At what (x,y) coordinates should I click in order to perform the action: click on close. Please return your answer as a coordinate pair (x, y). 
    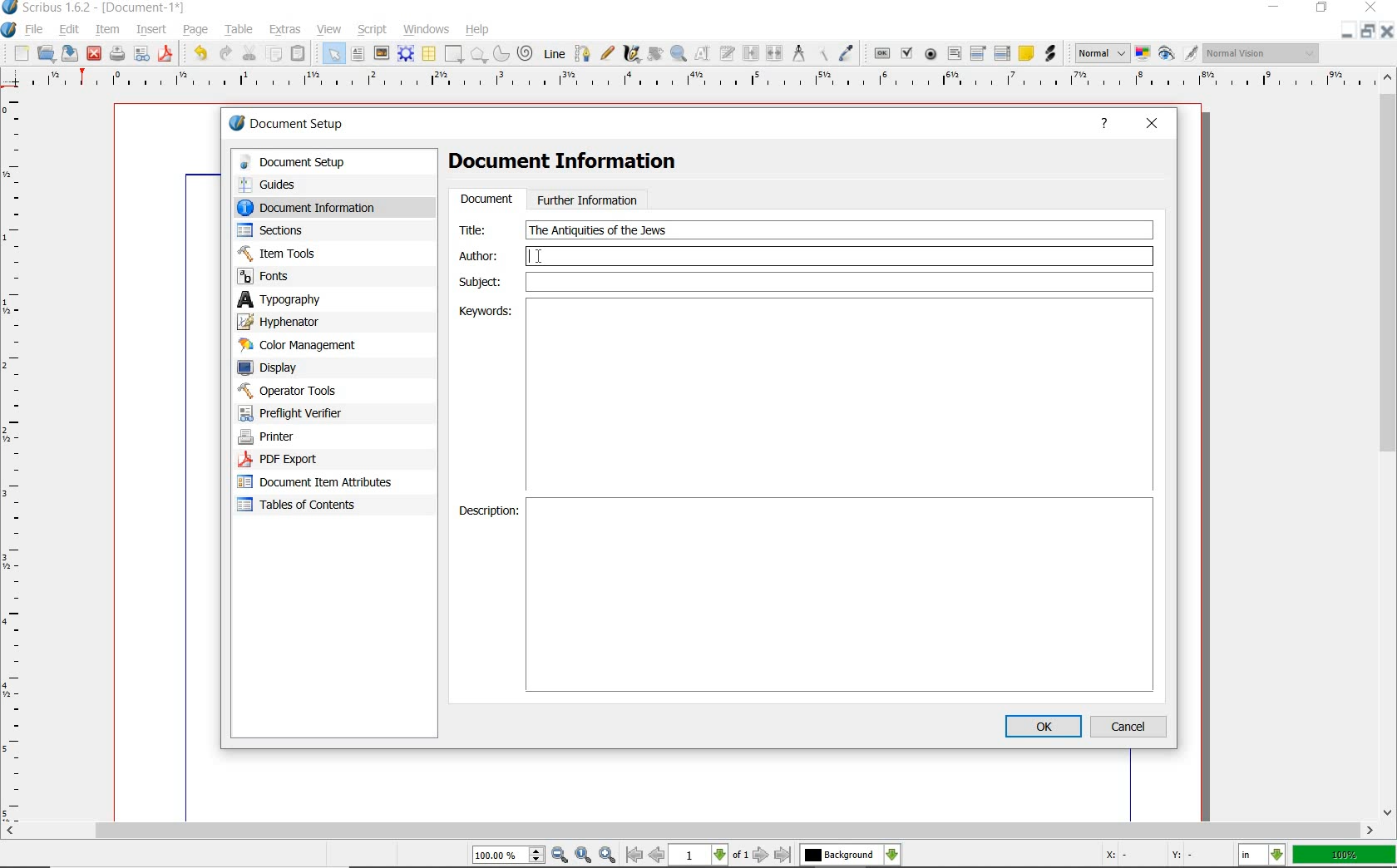
    Looking at the image, I should click on (1371, 7).